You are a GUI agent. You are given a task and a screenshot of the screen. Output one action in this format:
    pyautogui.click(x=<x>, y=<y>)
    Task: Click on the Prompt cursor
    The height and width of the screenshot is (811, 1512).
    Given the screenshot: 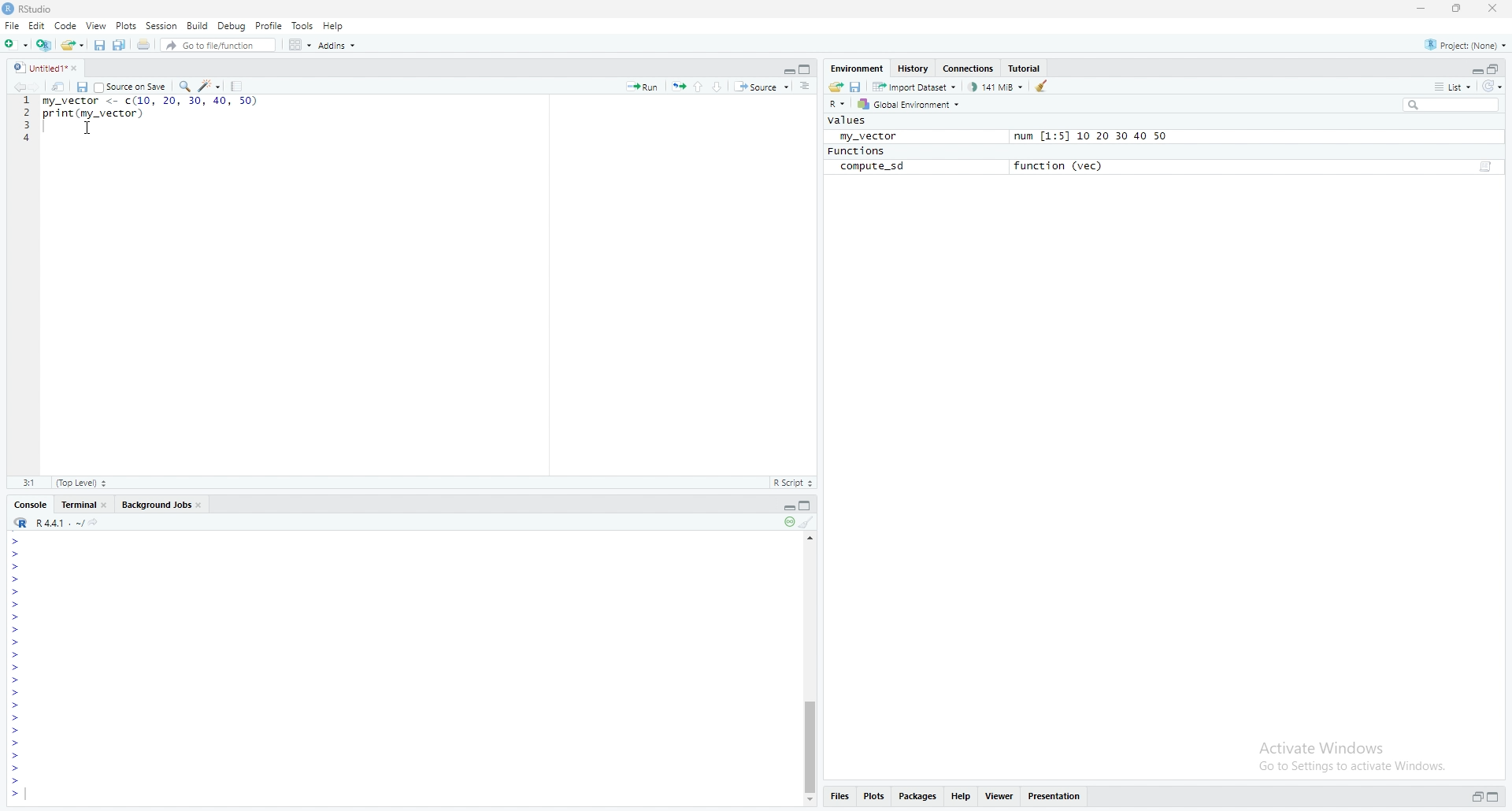 What is the action you would take?
    pyautogui.click(x=18, y=694)
    